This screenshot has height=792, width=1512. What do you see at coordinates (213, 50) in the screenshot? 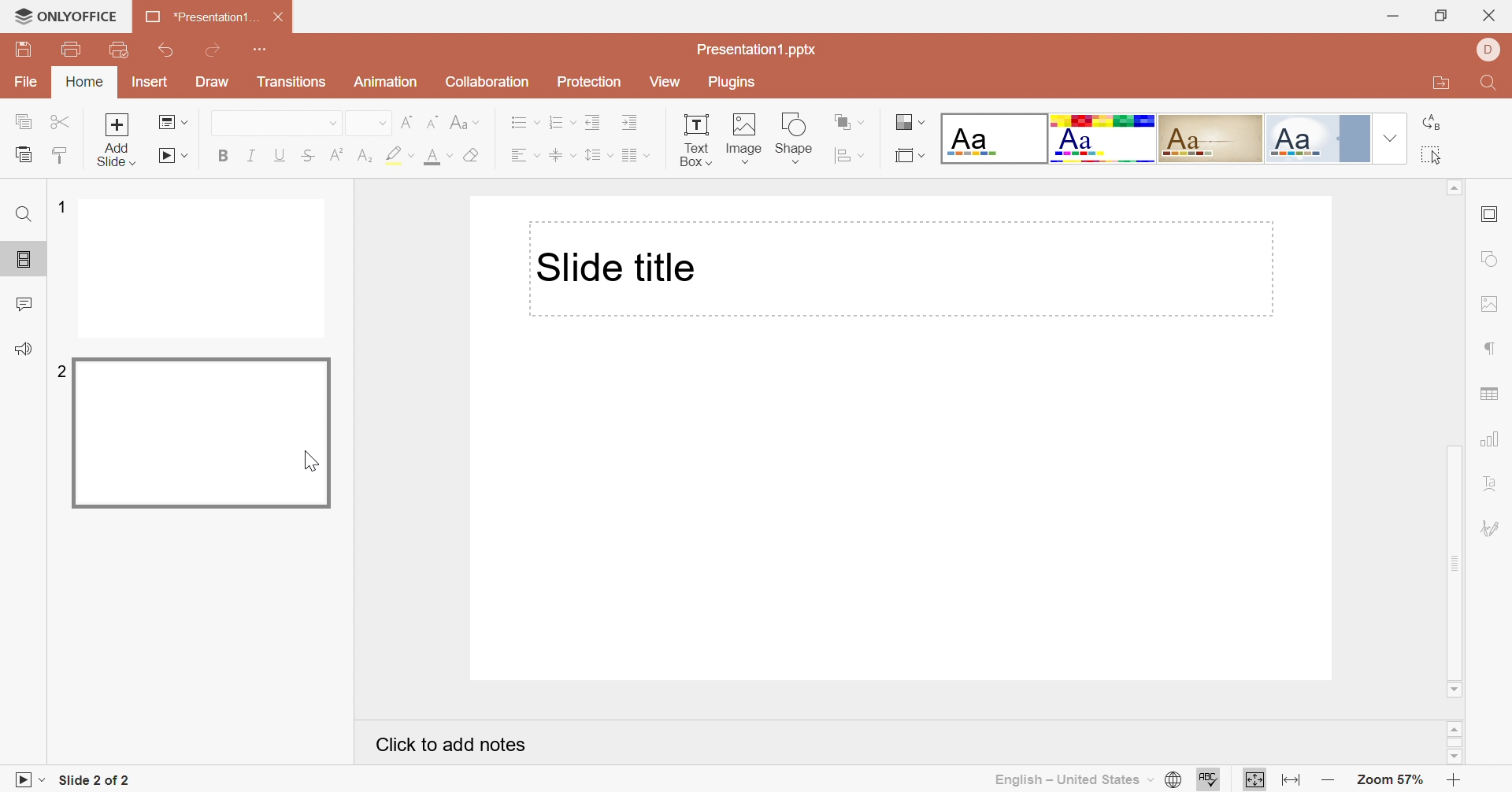
I see `Redo` at bounding box center [213, 50].